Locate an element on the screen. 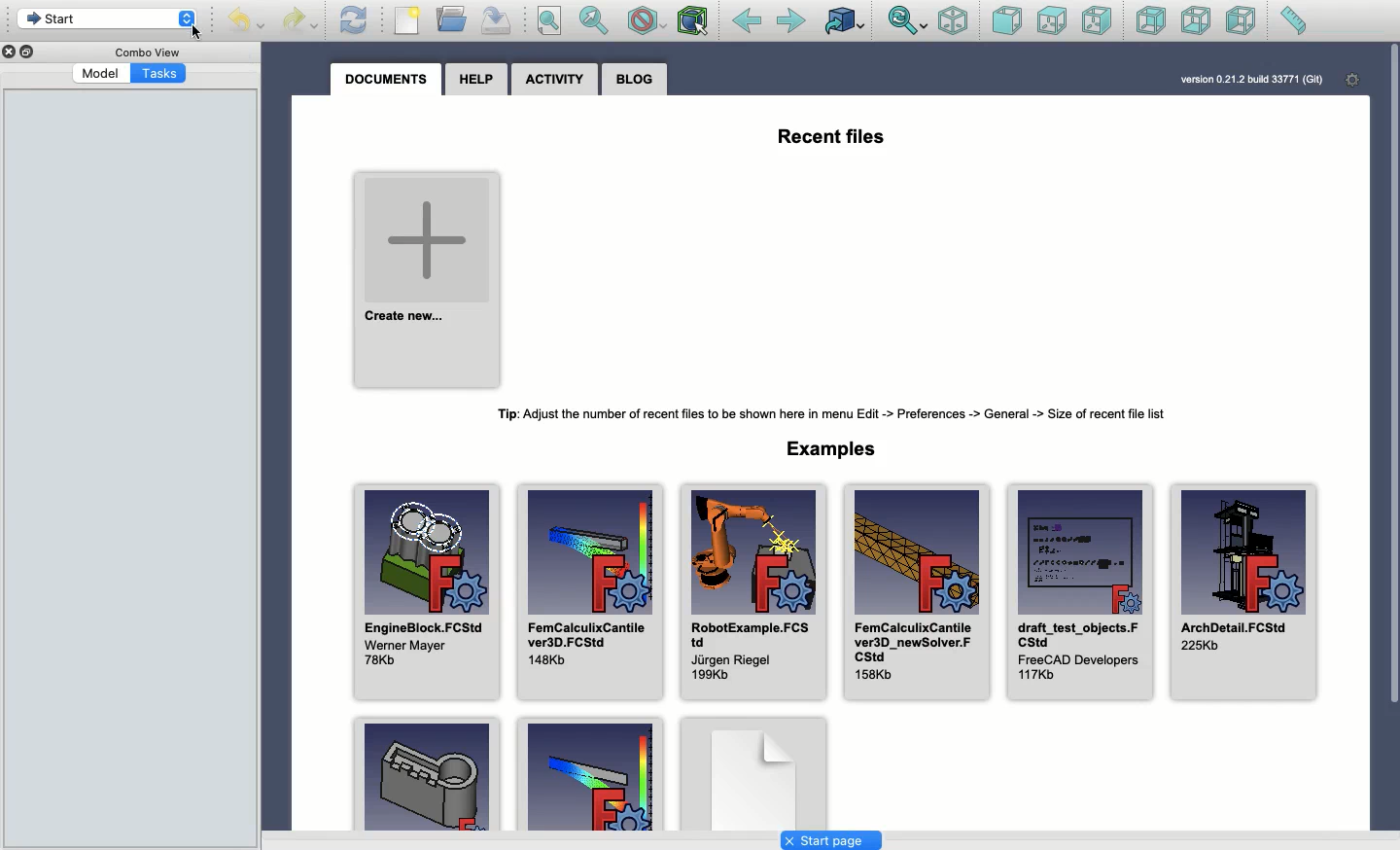  Settings is located at coordinates (1354, 81).